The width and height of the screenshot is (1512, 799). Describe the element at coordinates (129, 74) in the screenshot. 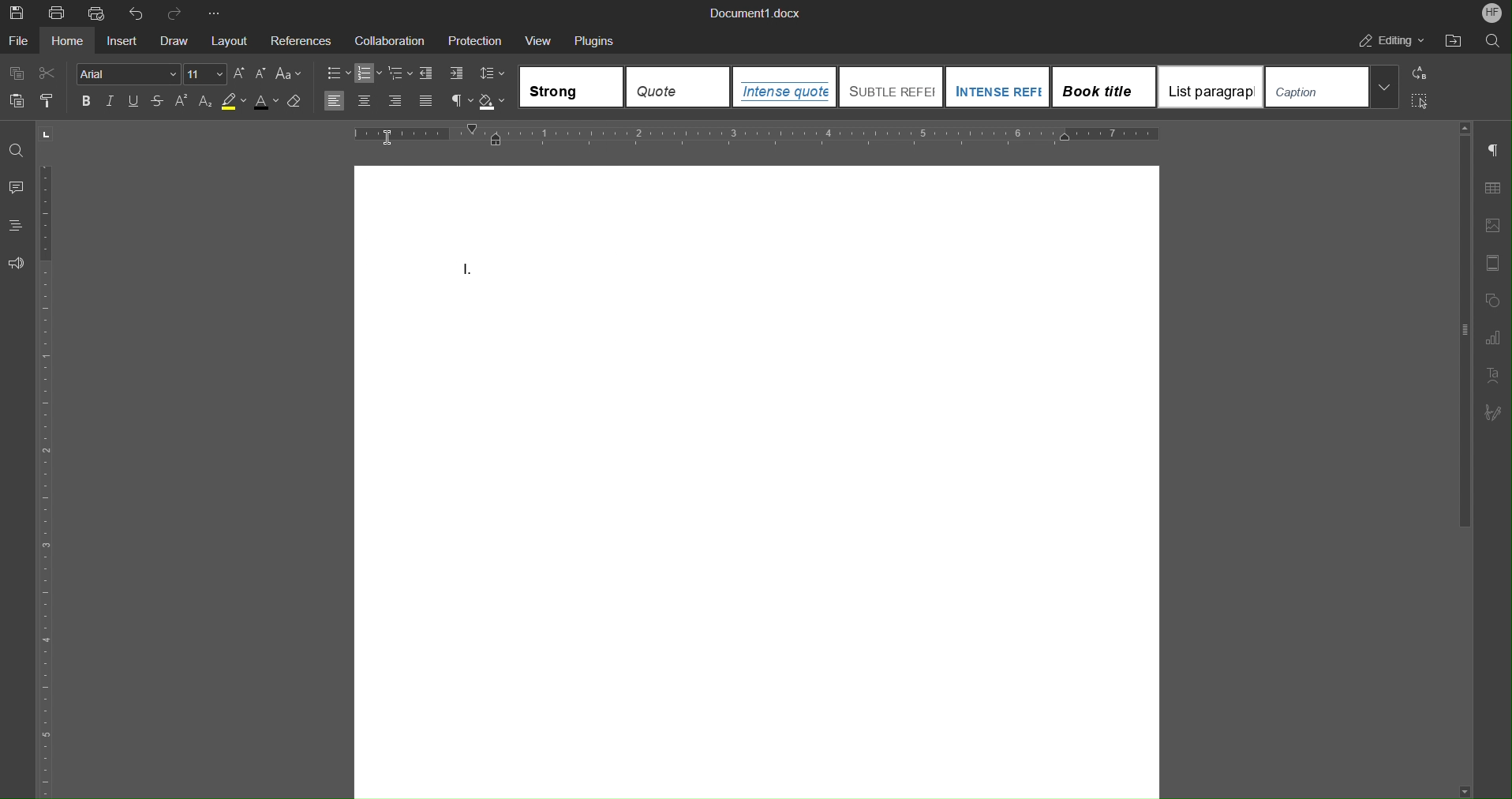

I see `Font` at that location.